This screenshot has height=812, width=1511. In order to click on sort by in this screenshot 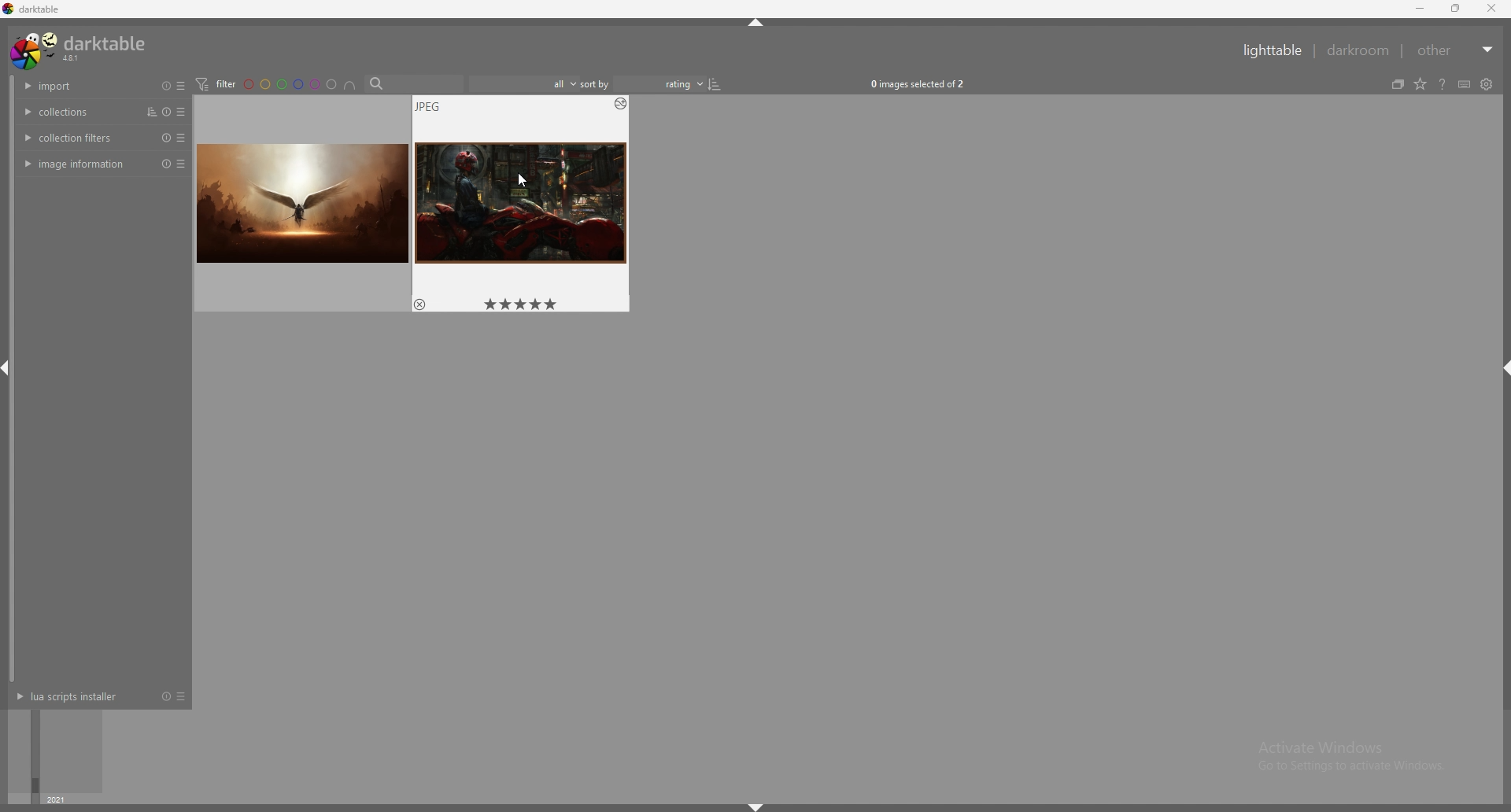, I will do `click(596, 83)`.